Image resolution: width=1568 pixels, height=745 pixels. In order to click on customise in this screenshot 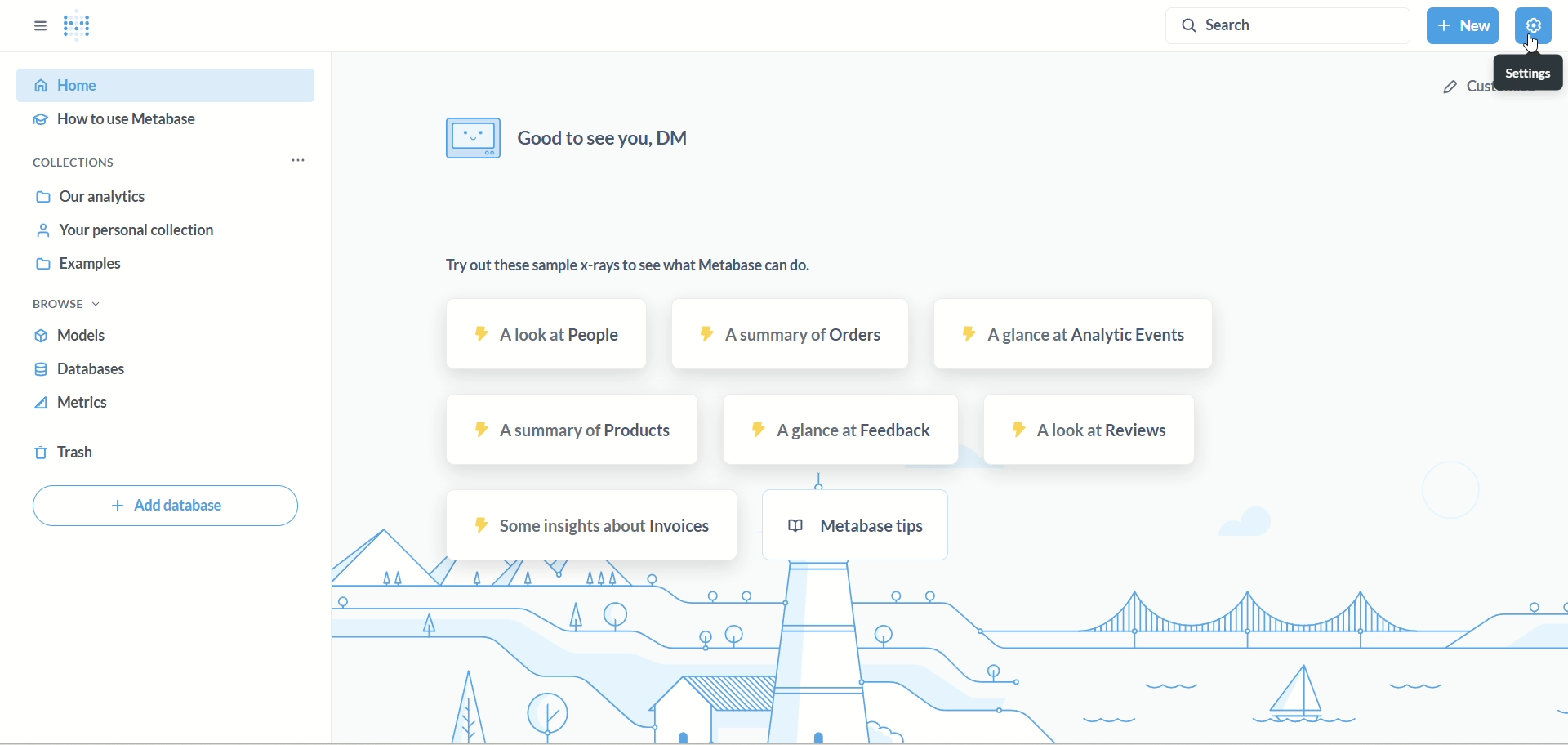, I will do `click(1495, 88)`.